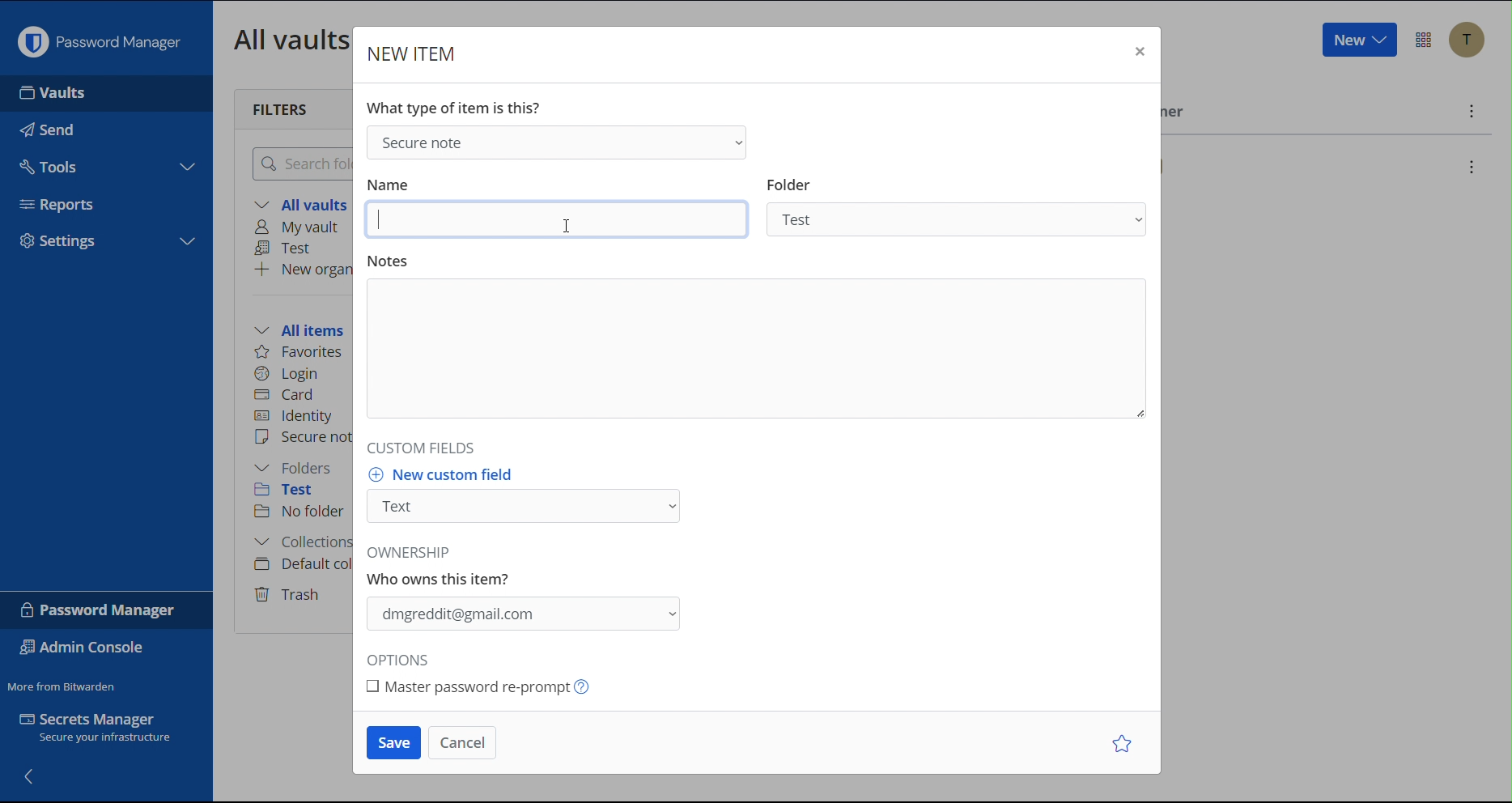  What do you see at coordinates (57, 93) in the screenshot?
I see `Vaults` at bounding box center [57, 93].